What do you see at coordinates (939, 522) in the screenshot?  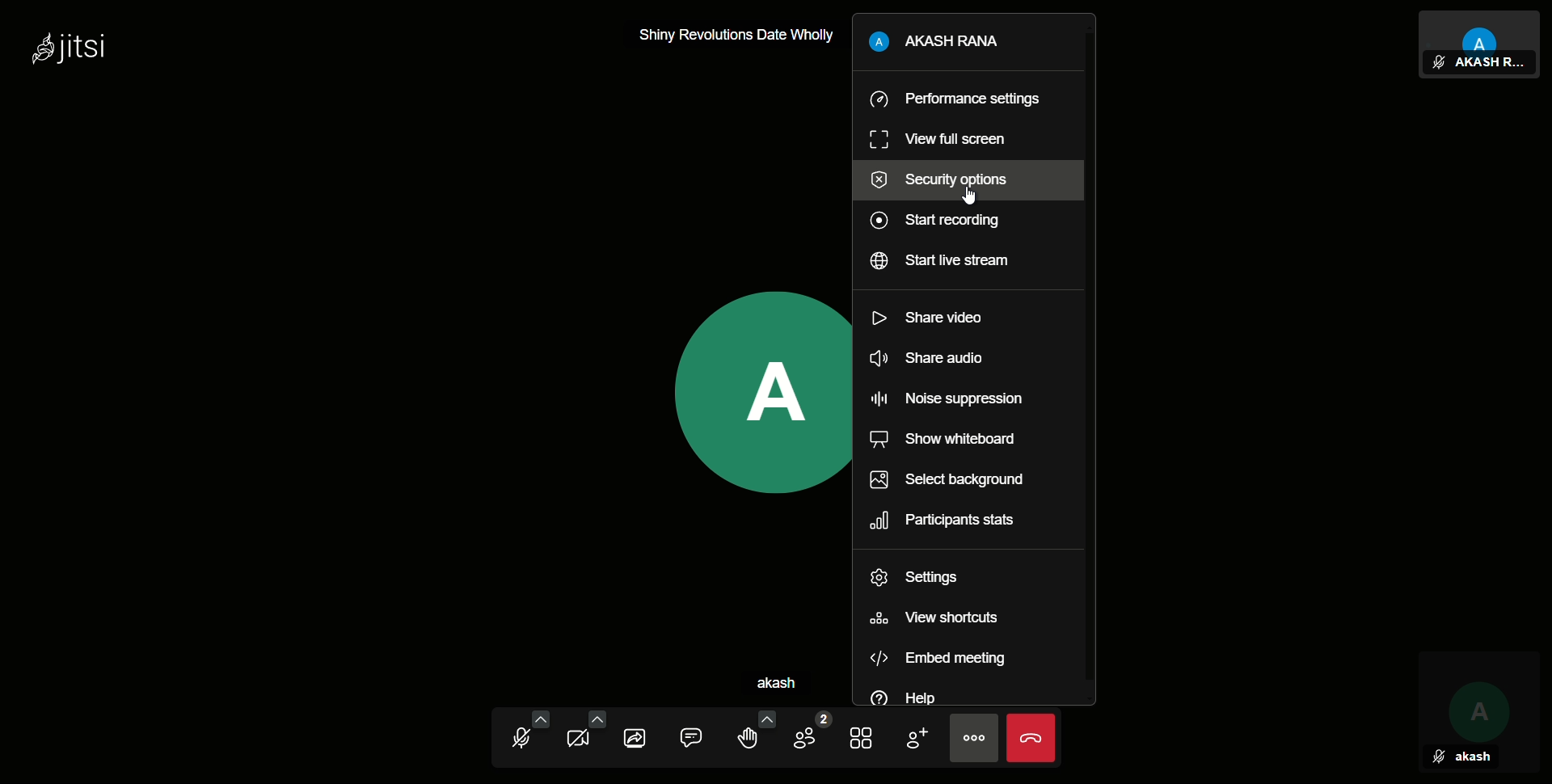 I see `participants stats` at bounding box center [939, 522].